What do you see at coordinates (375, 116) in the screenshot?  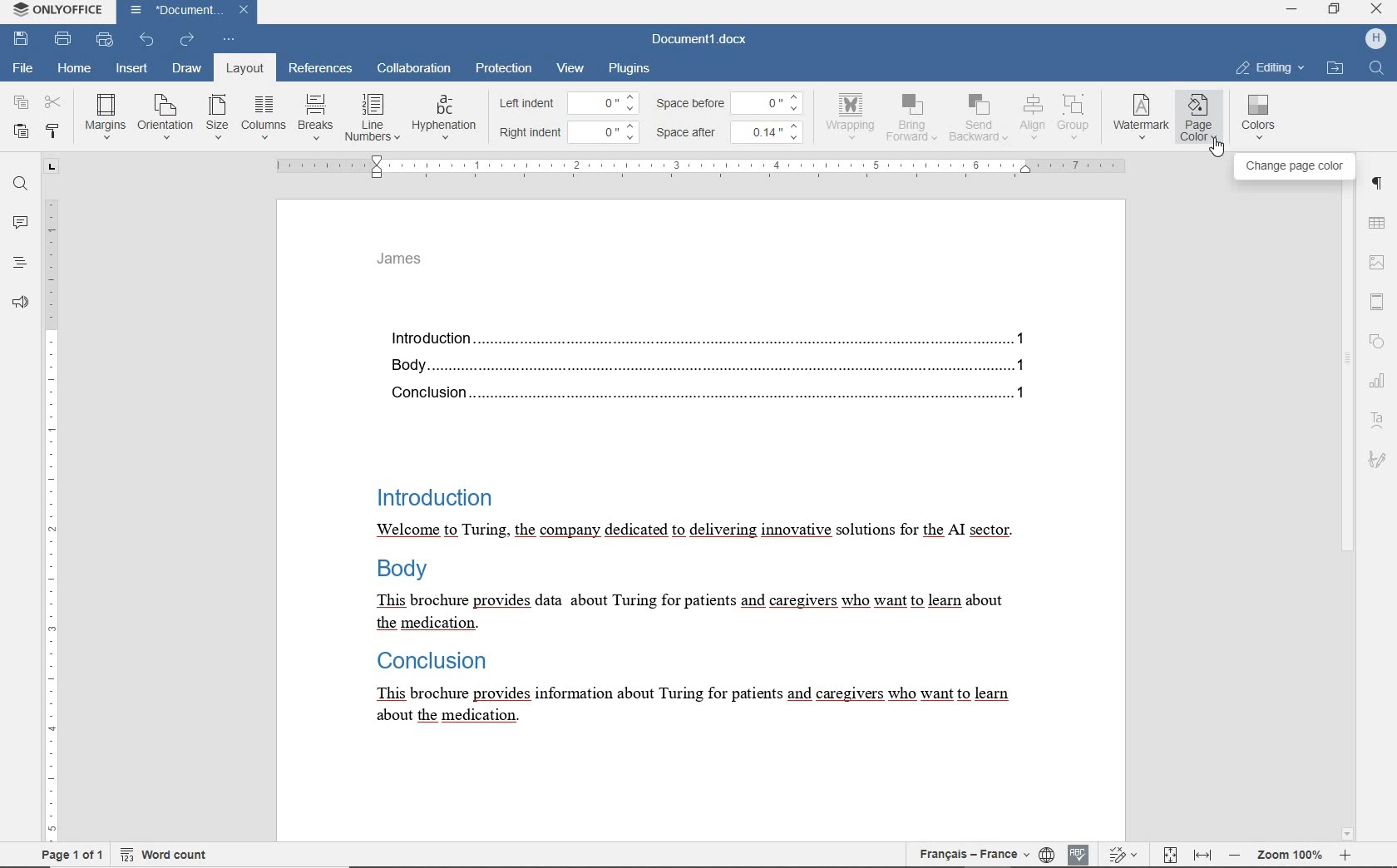 I see `line numbers` at bounding box center [375, 116].